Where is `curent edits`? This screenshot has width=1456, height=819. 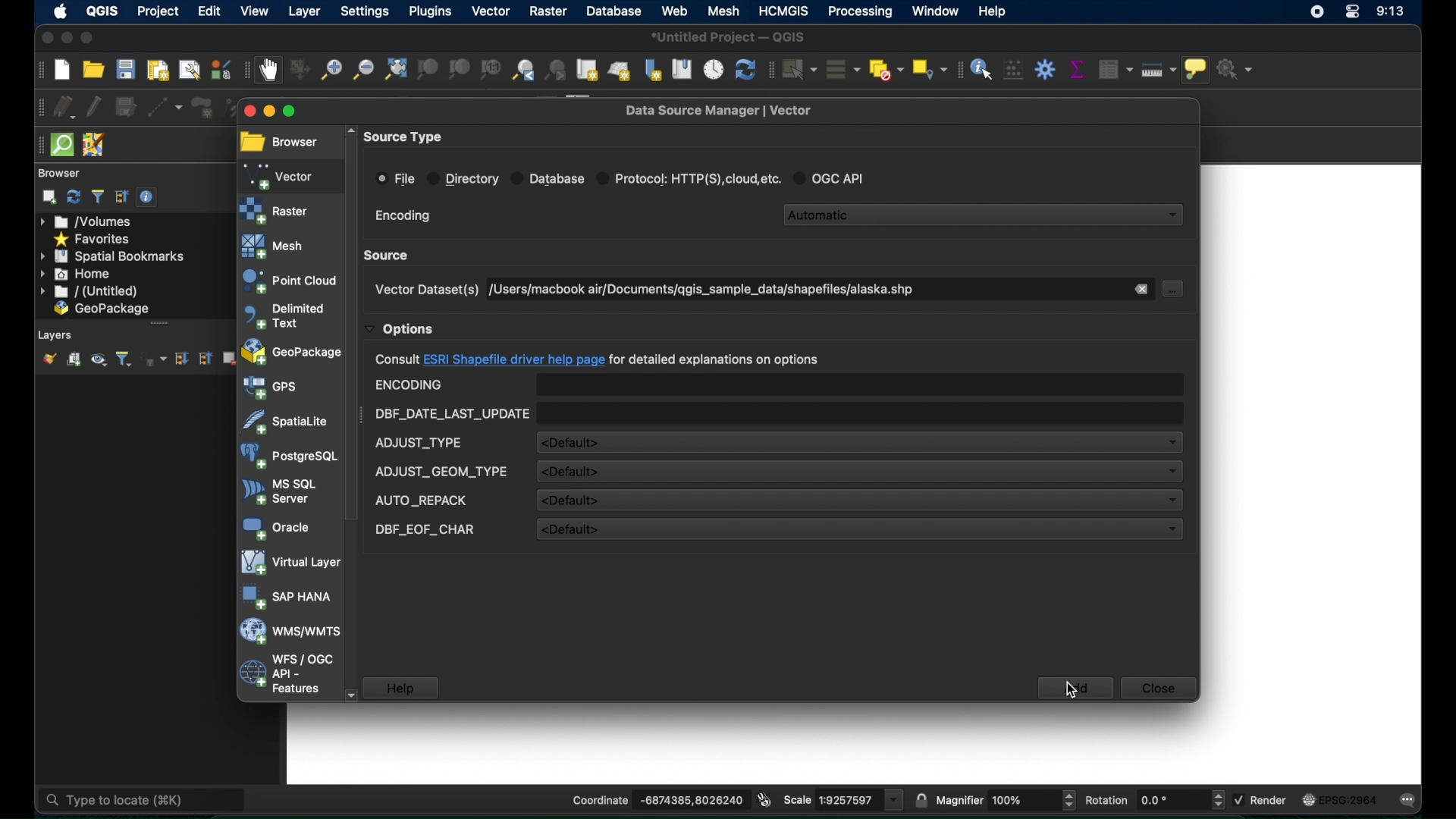
curent edits is located at coordinates (65, 107).